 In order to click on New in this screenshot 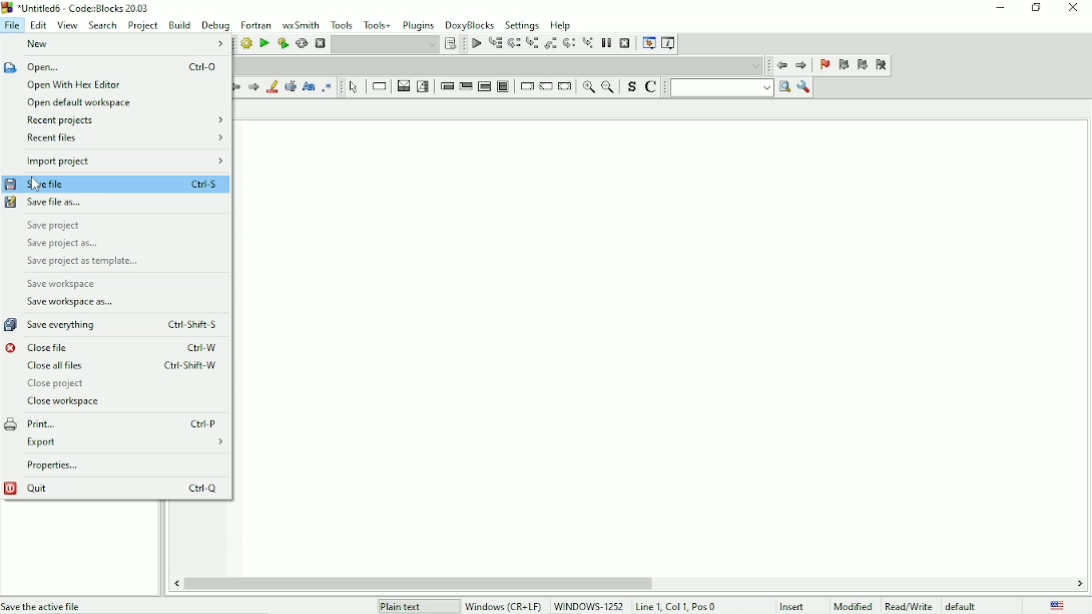, I will do `click(47, 44)`.